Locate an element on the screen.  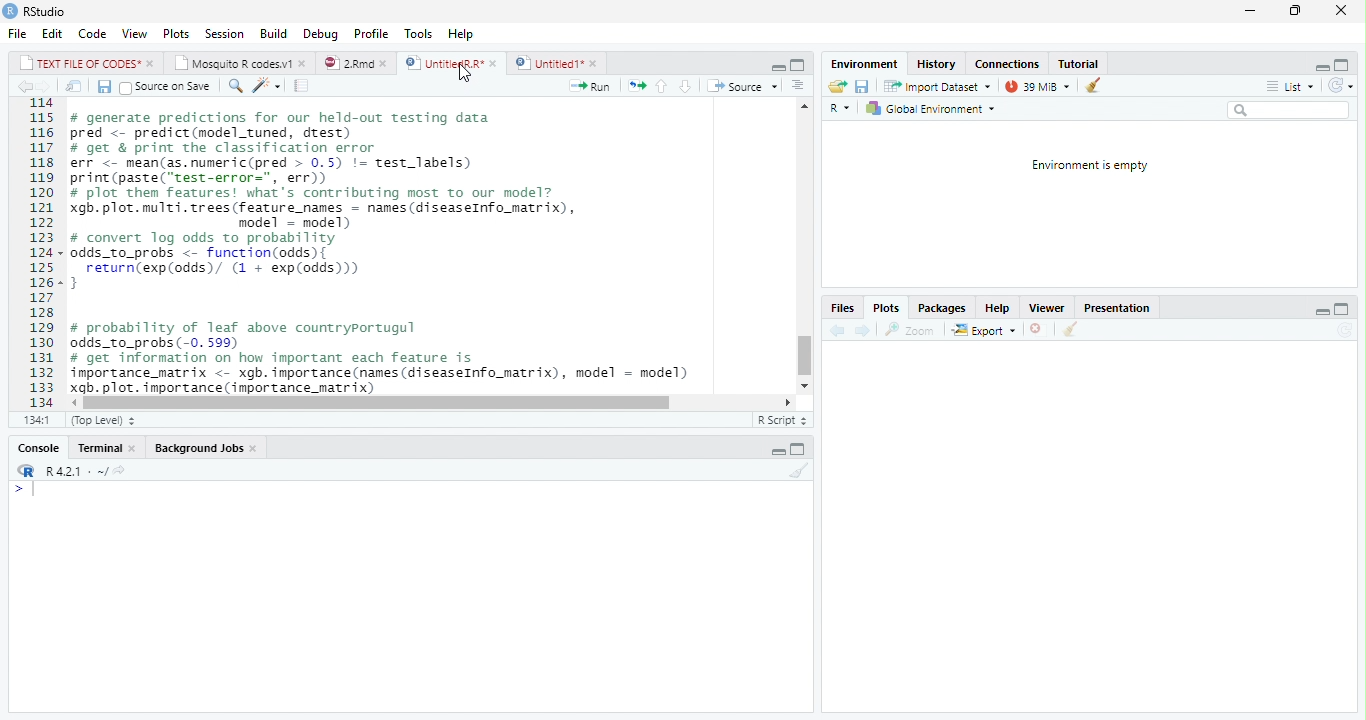
Console is located at coordinates (39, 447).